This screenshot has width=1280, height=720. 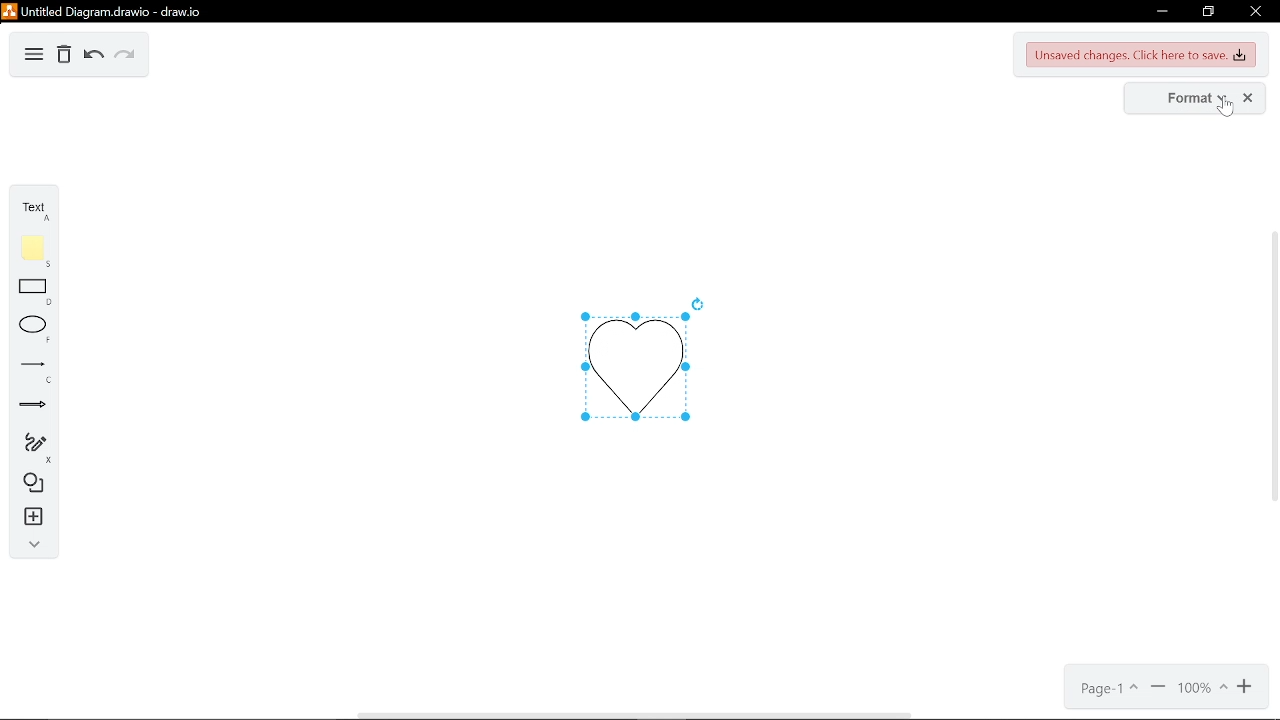 I want to click on diagram, so click(x=35, y=56).